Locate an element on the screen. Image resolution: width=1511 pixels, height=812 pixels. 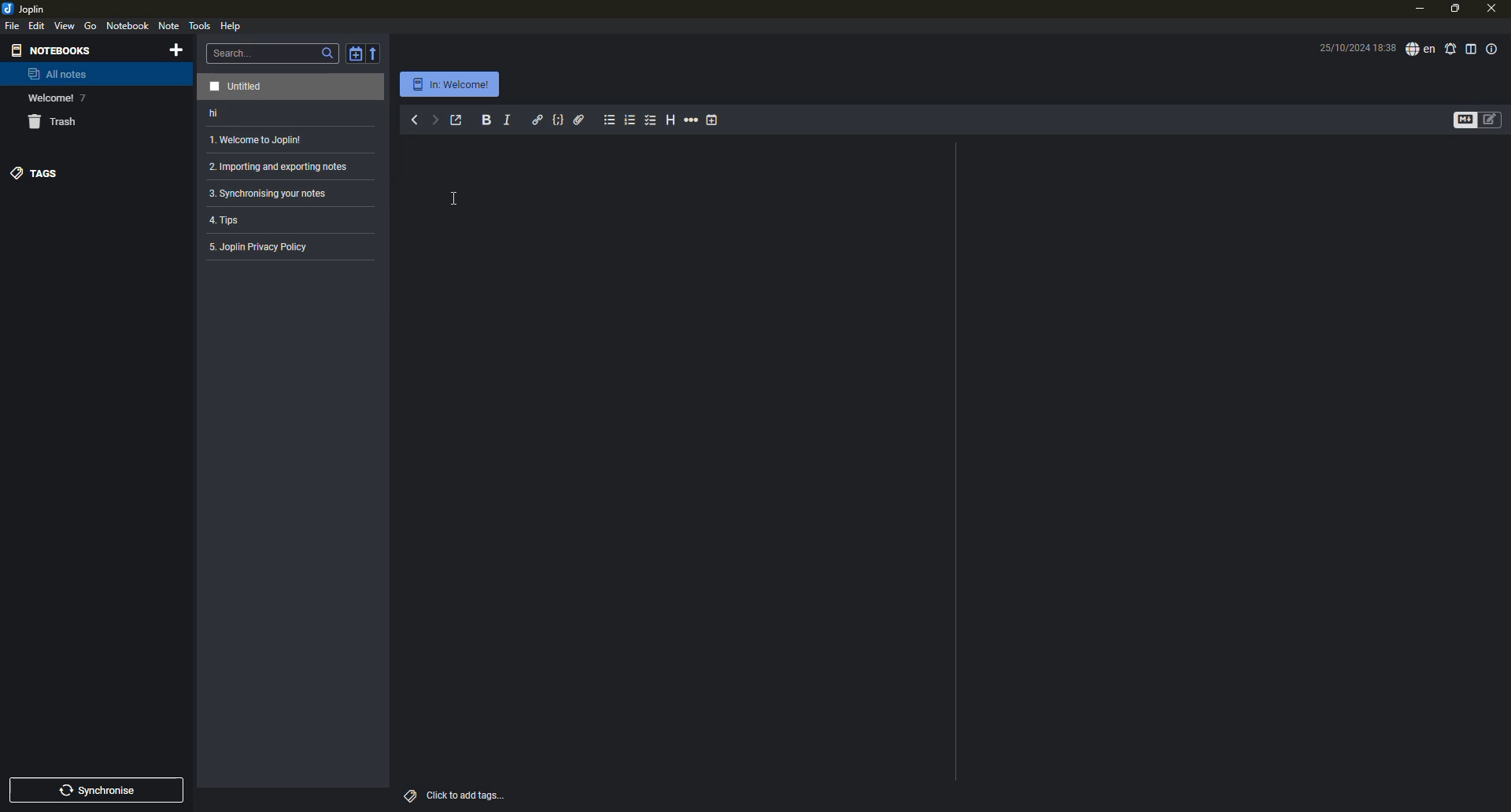
maximize is located at coordinates (1454, 9).